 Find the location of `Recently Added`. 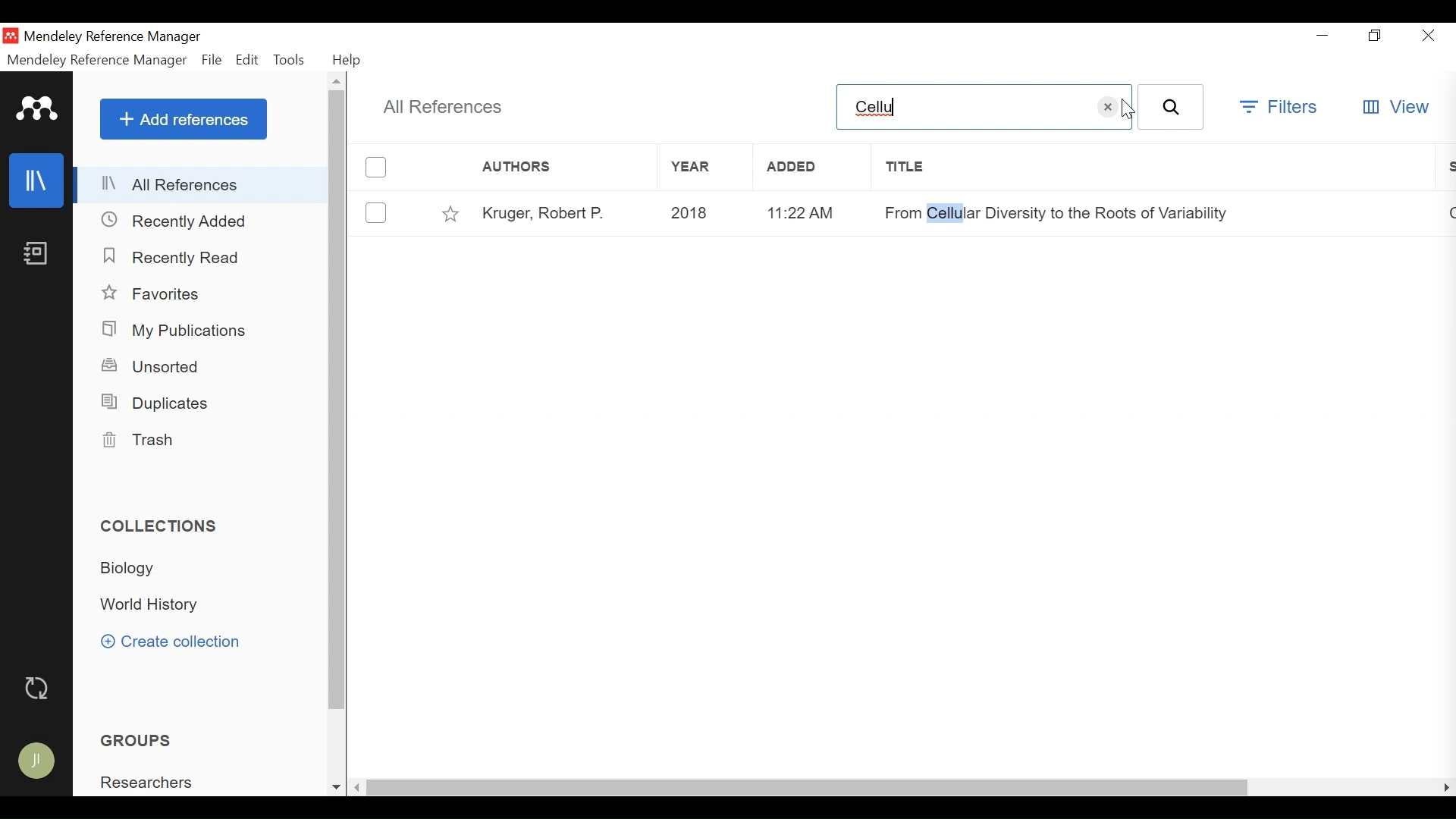

Recently Added is located at coordinates (178, 220).